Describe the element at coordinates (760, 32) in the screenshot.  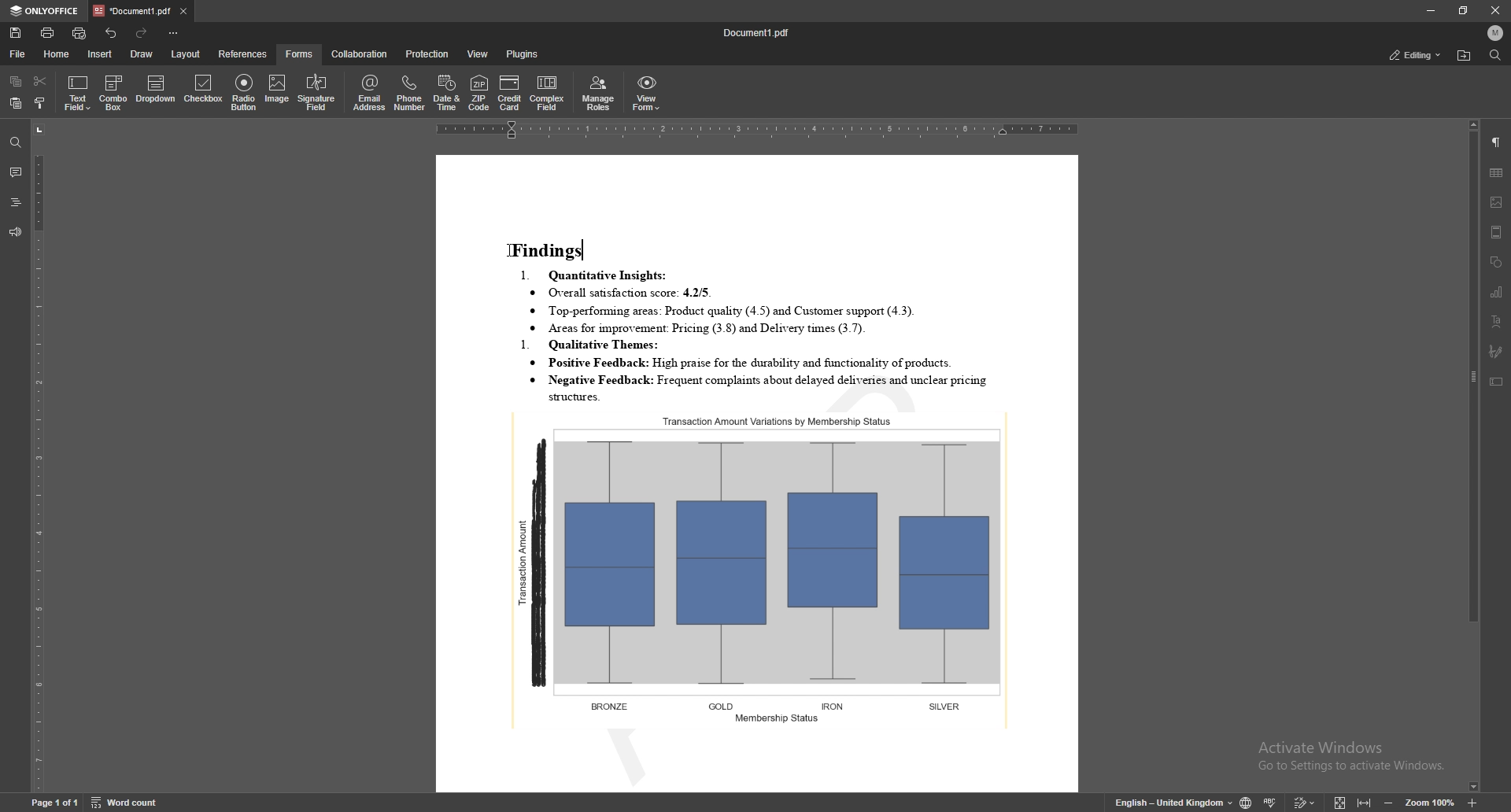
I see `file name` at that location.